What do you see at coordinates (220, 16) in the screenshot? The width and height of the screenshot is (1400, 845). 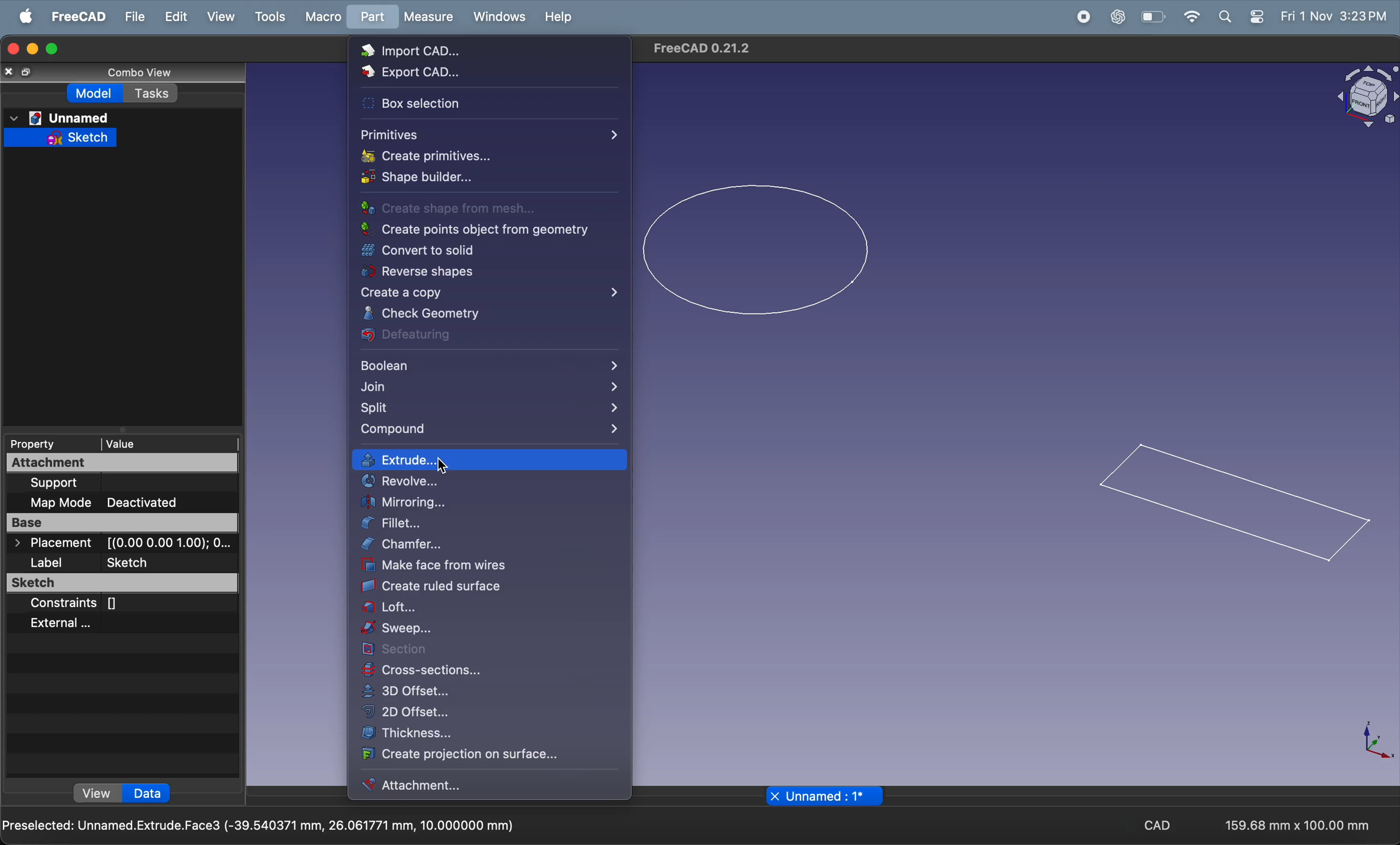 I see `View` at bounding box center [220, 16].